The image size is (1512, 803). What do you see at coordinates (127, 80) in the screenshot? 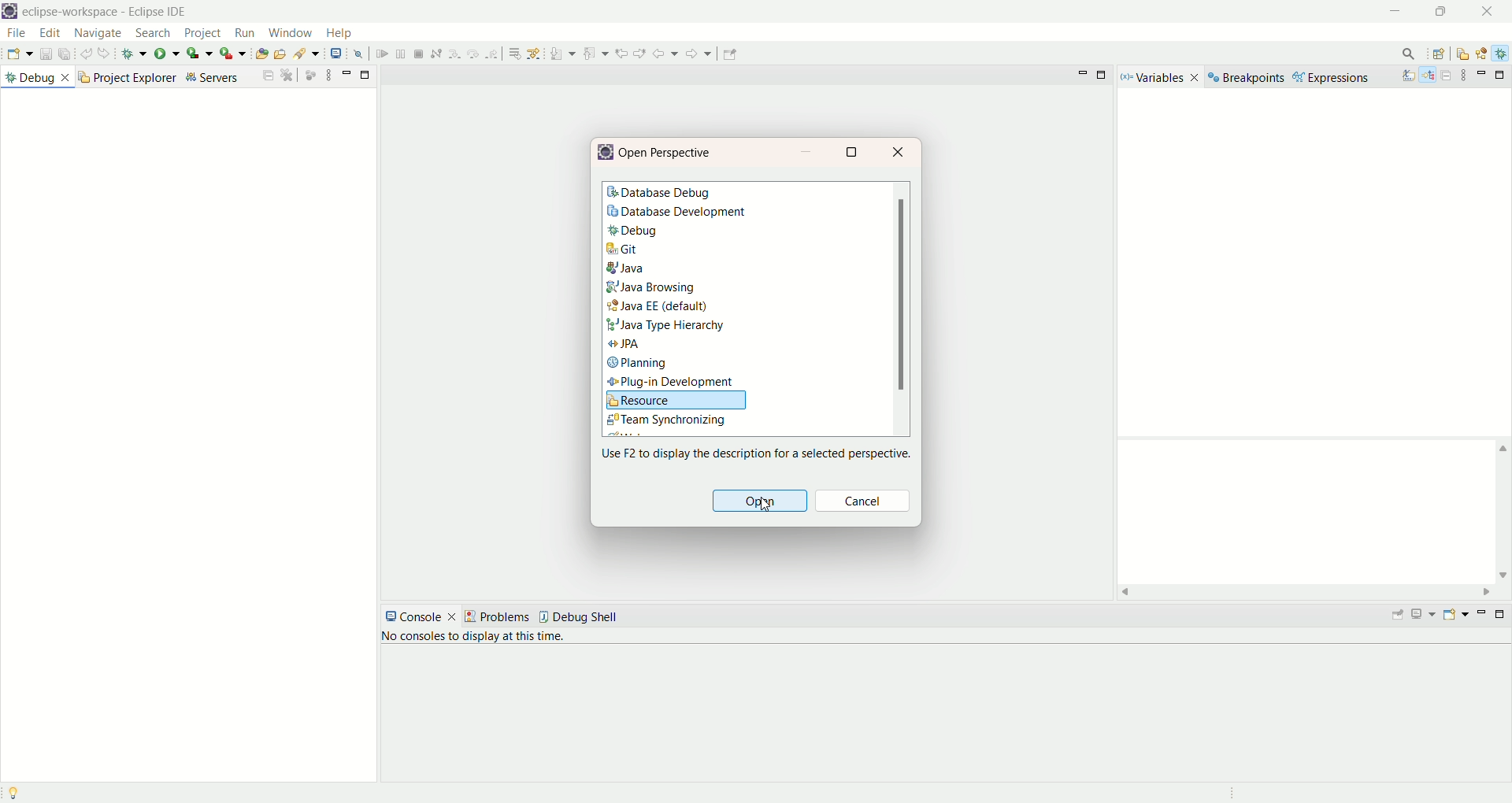
I see `project explorer` at bounding box center [127, 80].